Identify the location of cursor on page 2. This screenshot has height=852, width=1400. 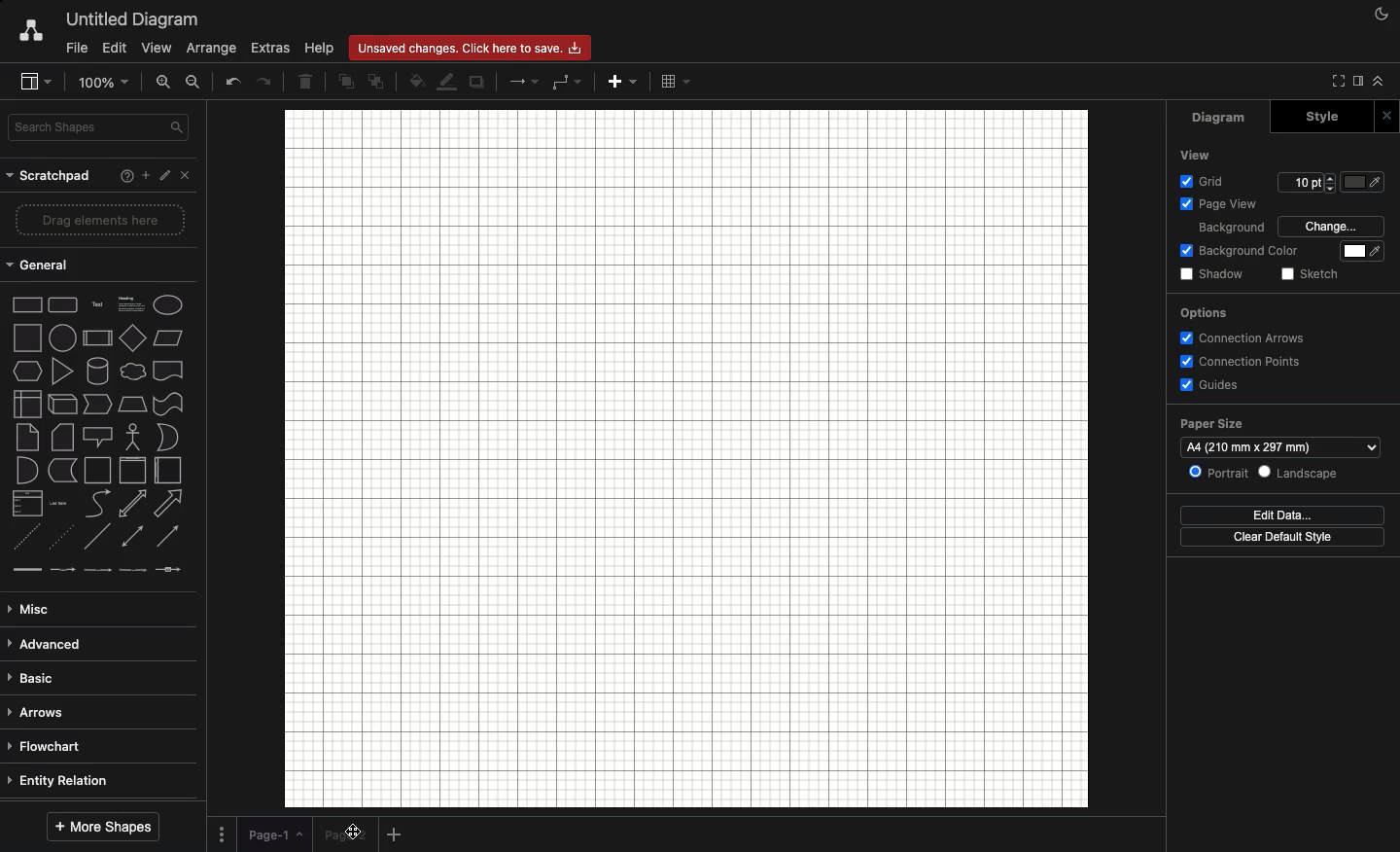
(350, 834).